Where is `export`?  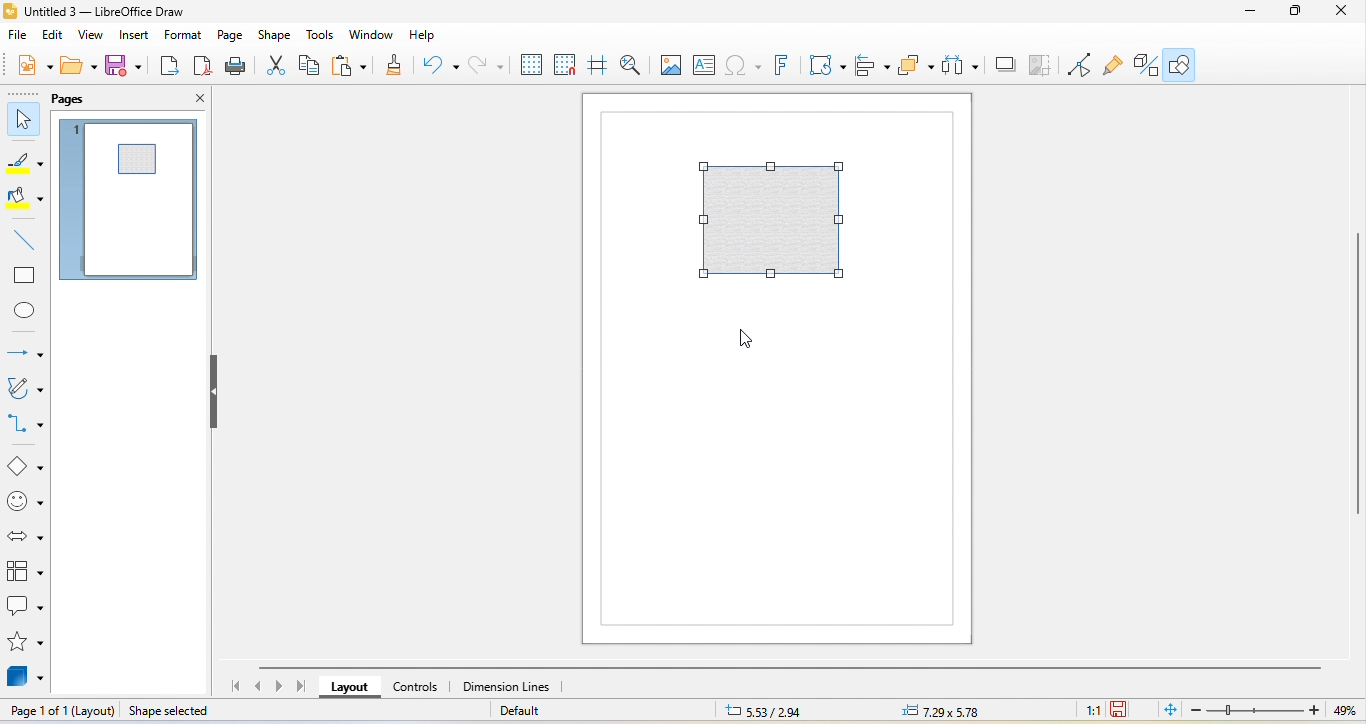 export is located at coordinates (169, 67).